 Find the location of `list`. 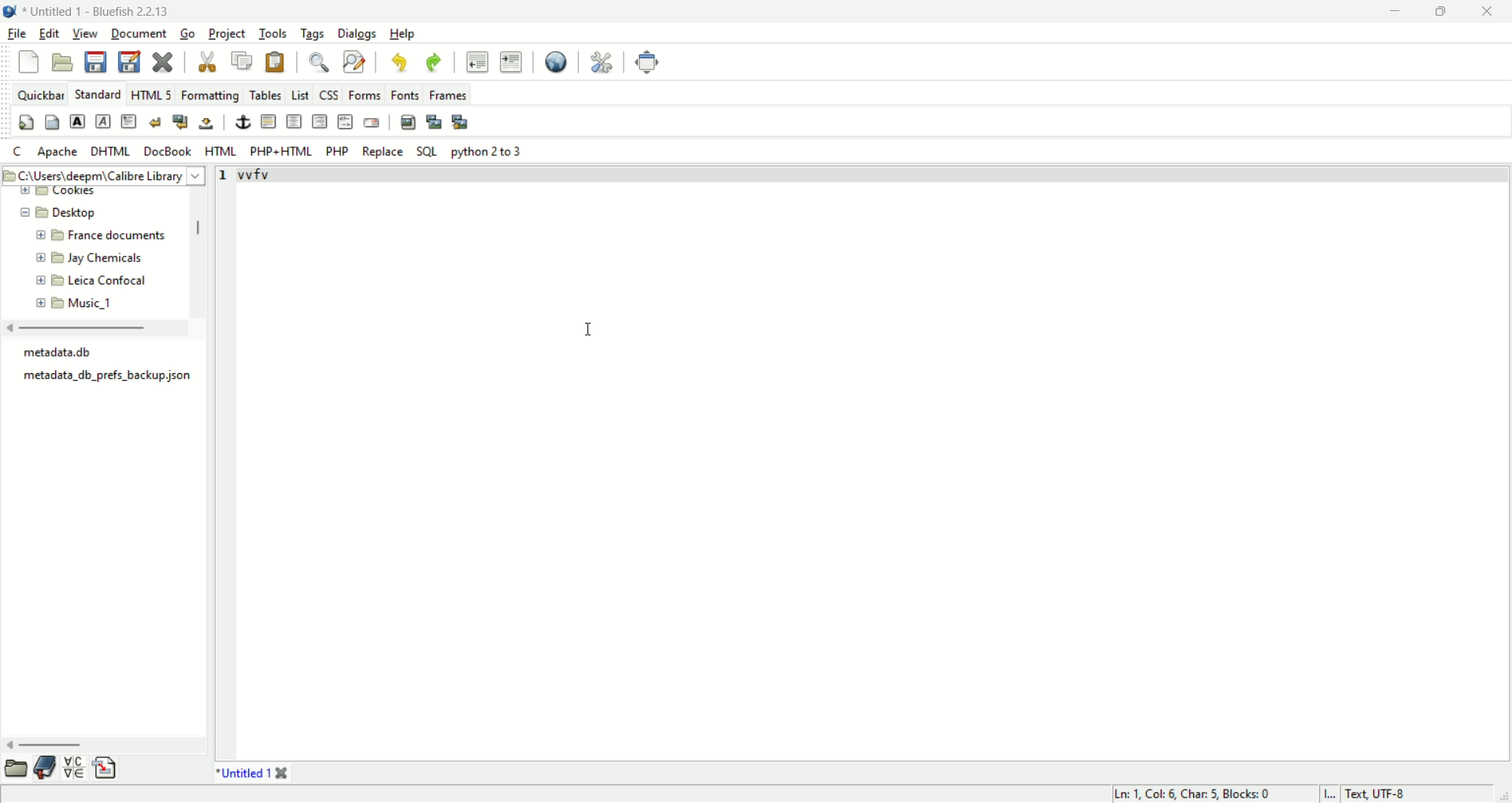

list is located at coordinates (301, 91).